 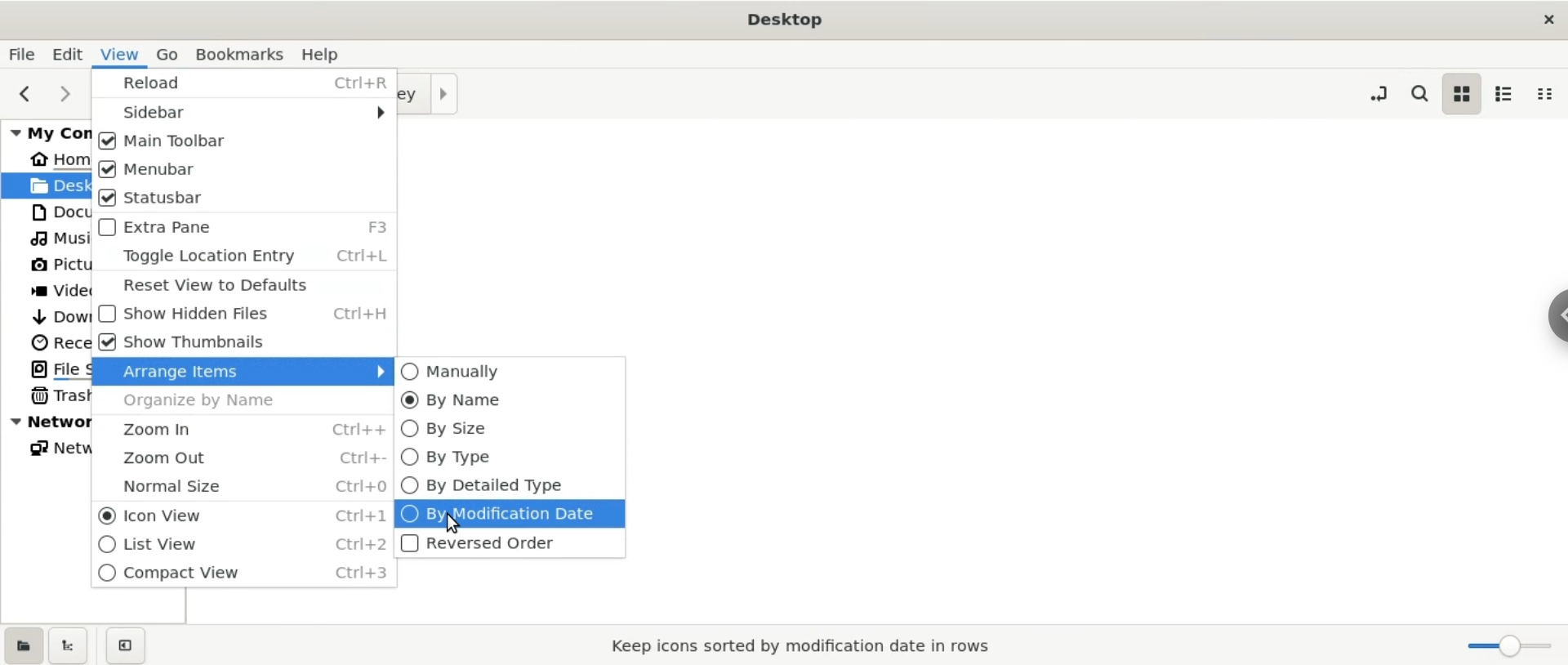 What do you see at coordinates (1507, 91) in the screenshot?
I see `list view` at bounding box center [1507, 91].